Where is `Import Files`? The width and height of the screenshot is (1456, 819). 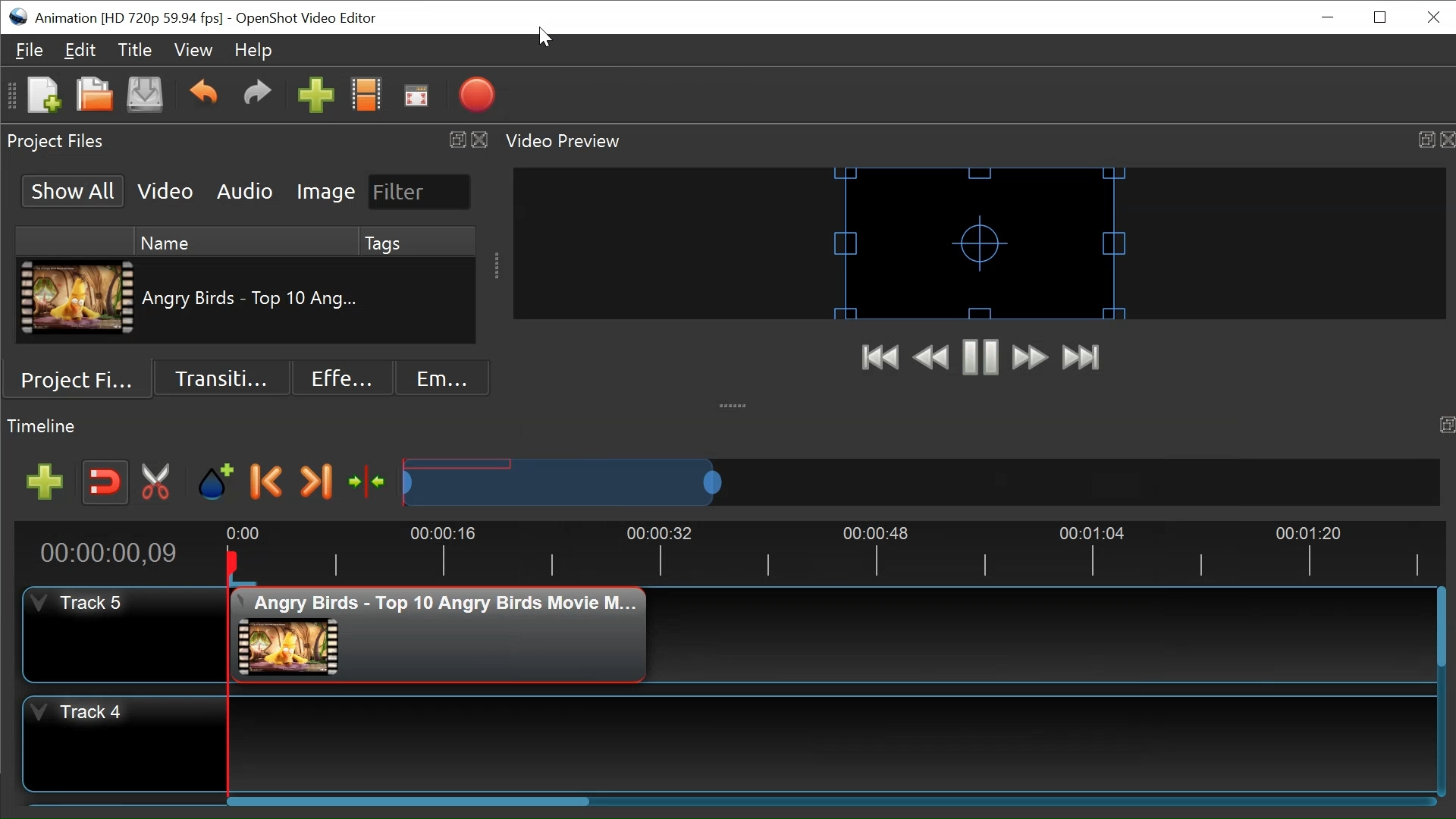
Import Files is located at coordinates (316, 94).